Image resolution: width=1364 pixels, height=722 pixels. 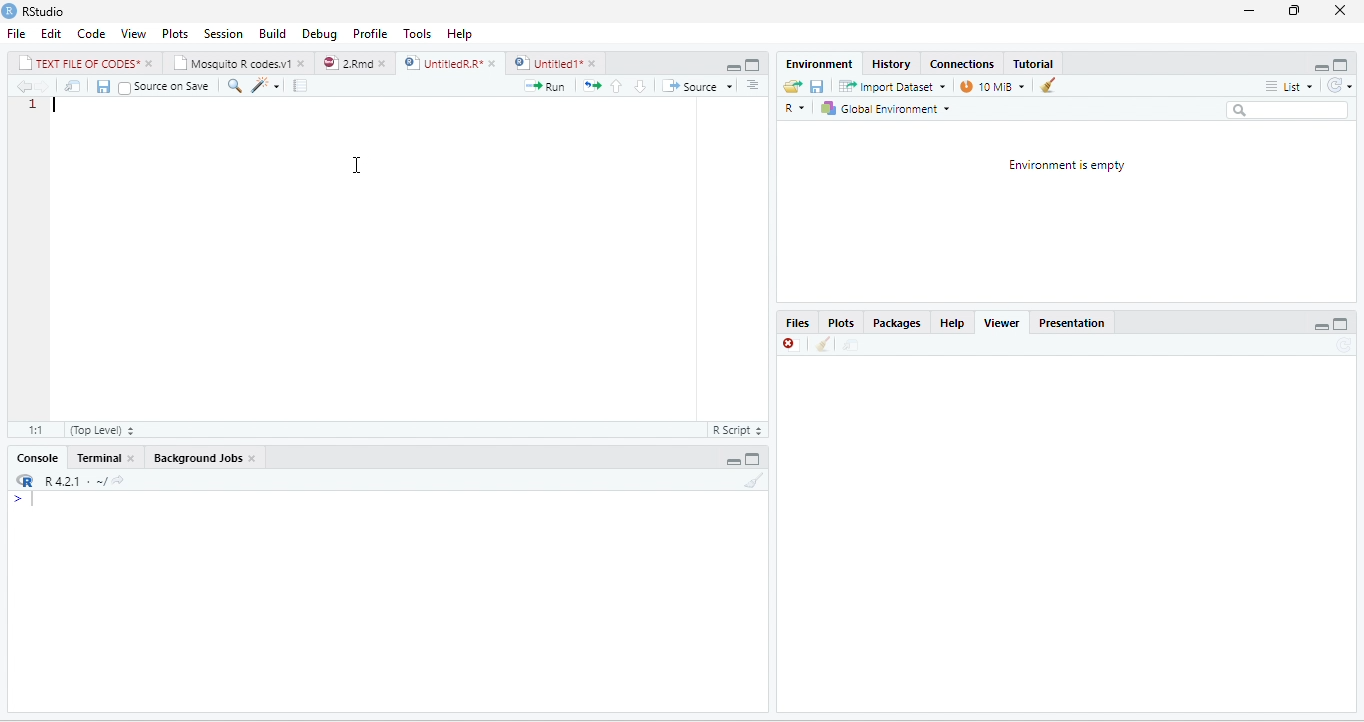 What do you see at coordinates (1070, 210) in the screenshot?
I see `environment is empty` at bounding box center [1070, 210].